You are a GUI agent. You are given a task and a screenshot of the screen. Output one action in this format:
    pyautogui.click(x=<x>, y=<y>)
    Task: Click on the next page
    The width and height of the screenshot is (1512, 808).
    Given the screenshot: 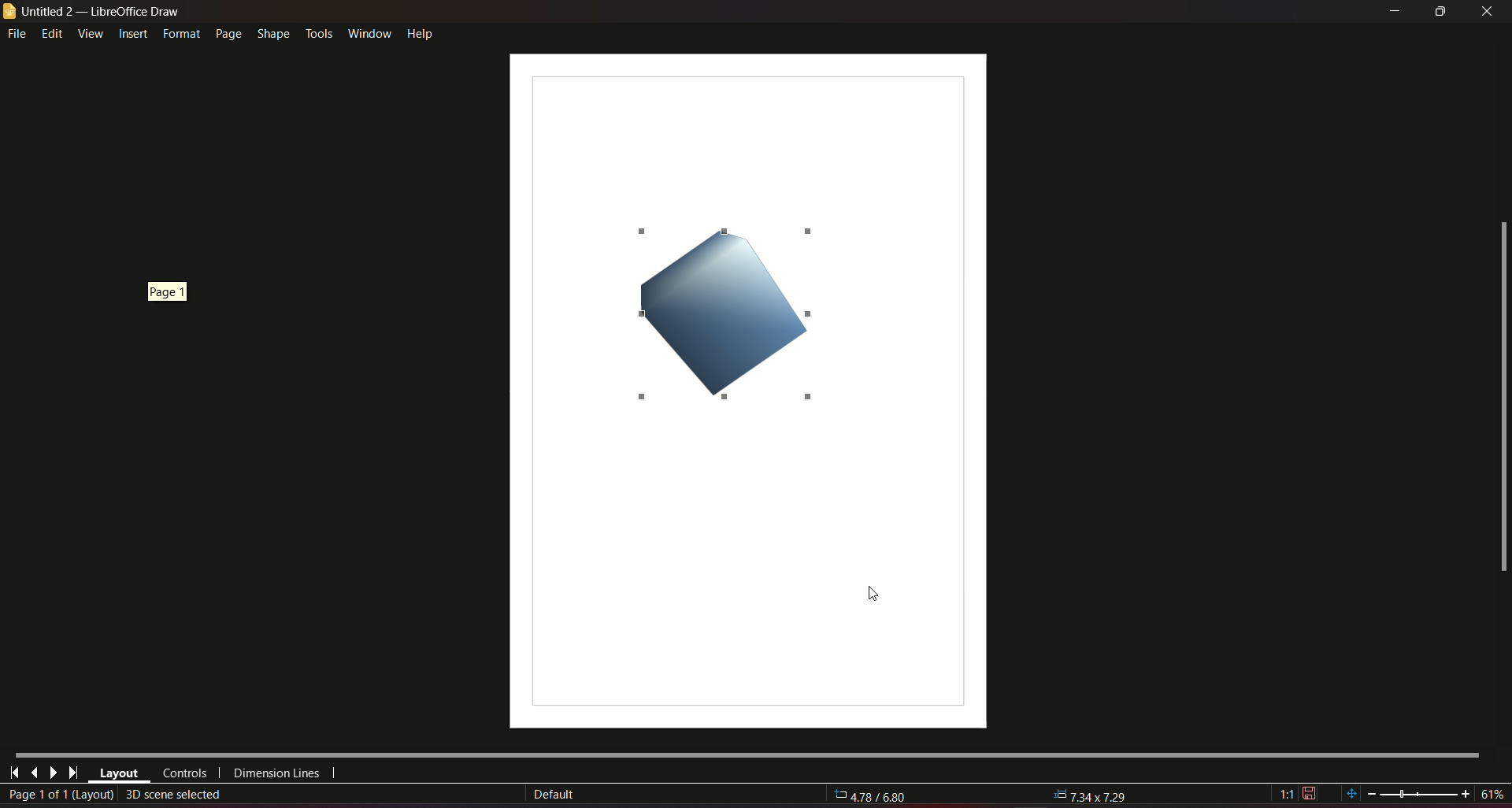 What is the action you would take?
    pyautogui.click(x=53, y=773)
    